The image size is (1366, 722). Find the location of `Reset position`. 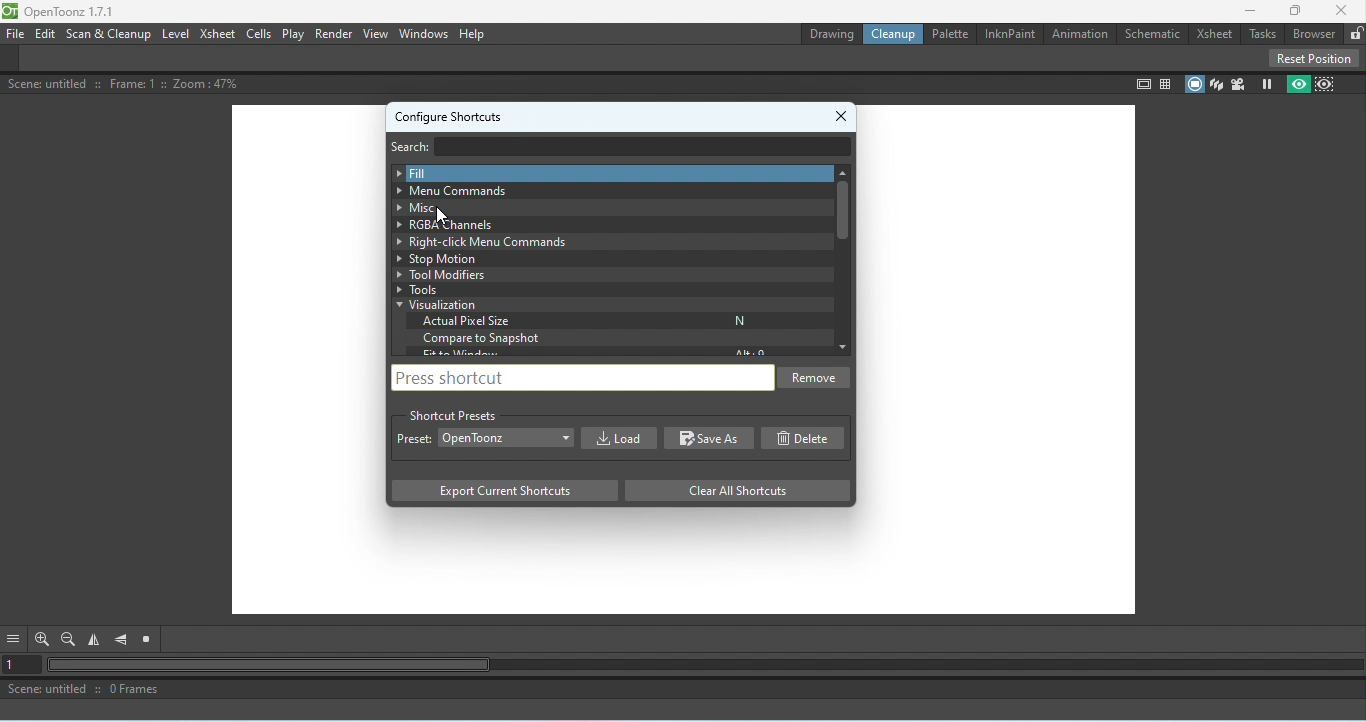

Reset position is located at coordinates (1313, 57).